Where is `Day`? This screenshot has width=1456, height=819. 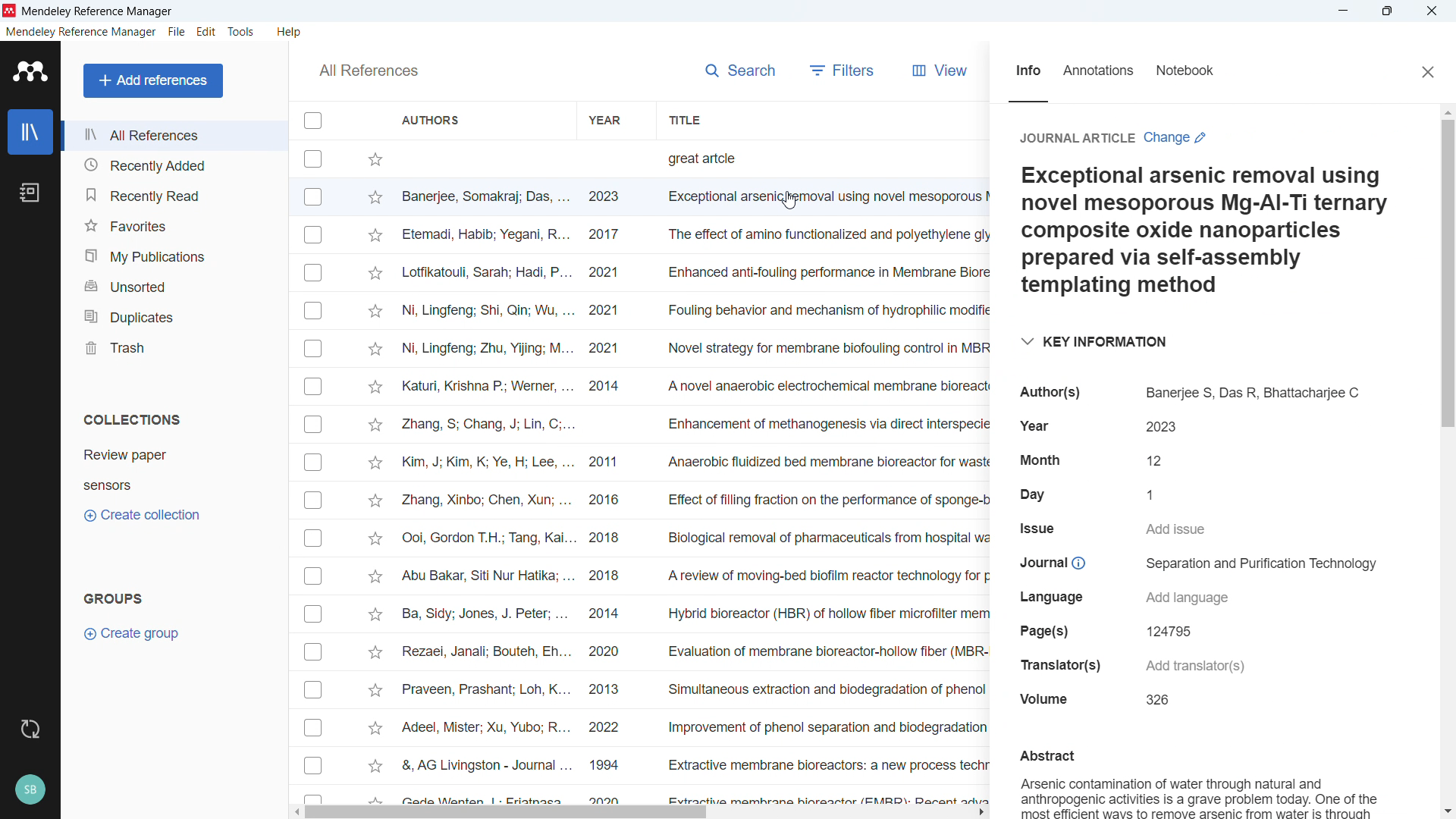 Day is located at coordinates (1031, 493).